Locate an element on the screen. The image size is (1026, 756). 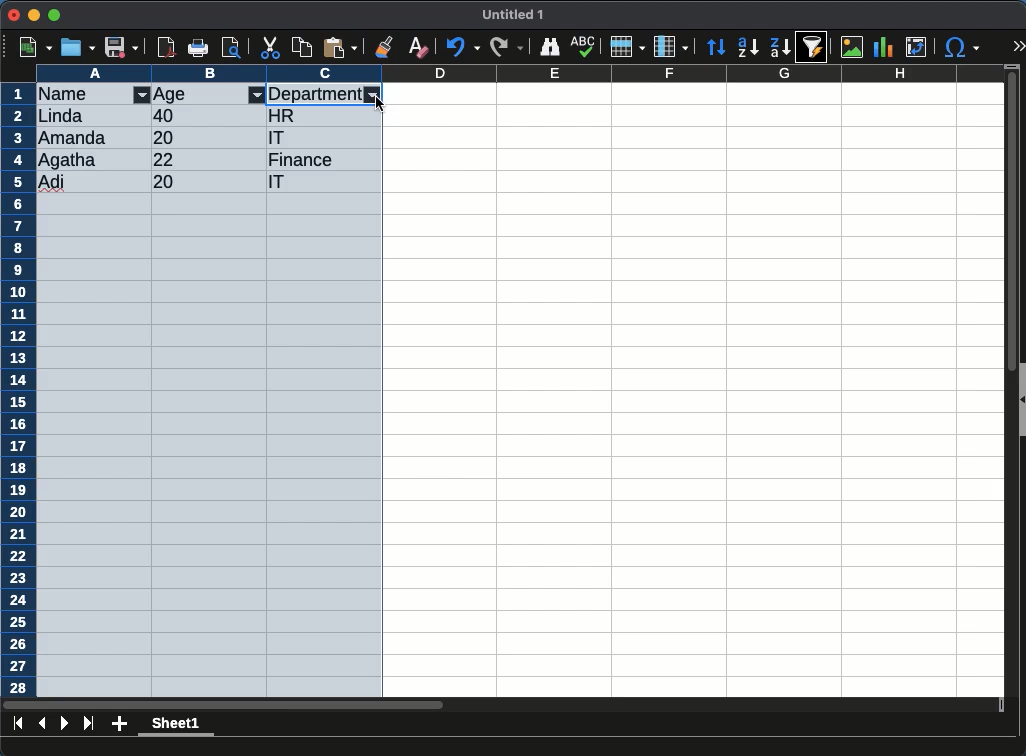
name is located at coordinates (73, 93).